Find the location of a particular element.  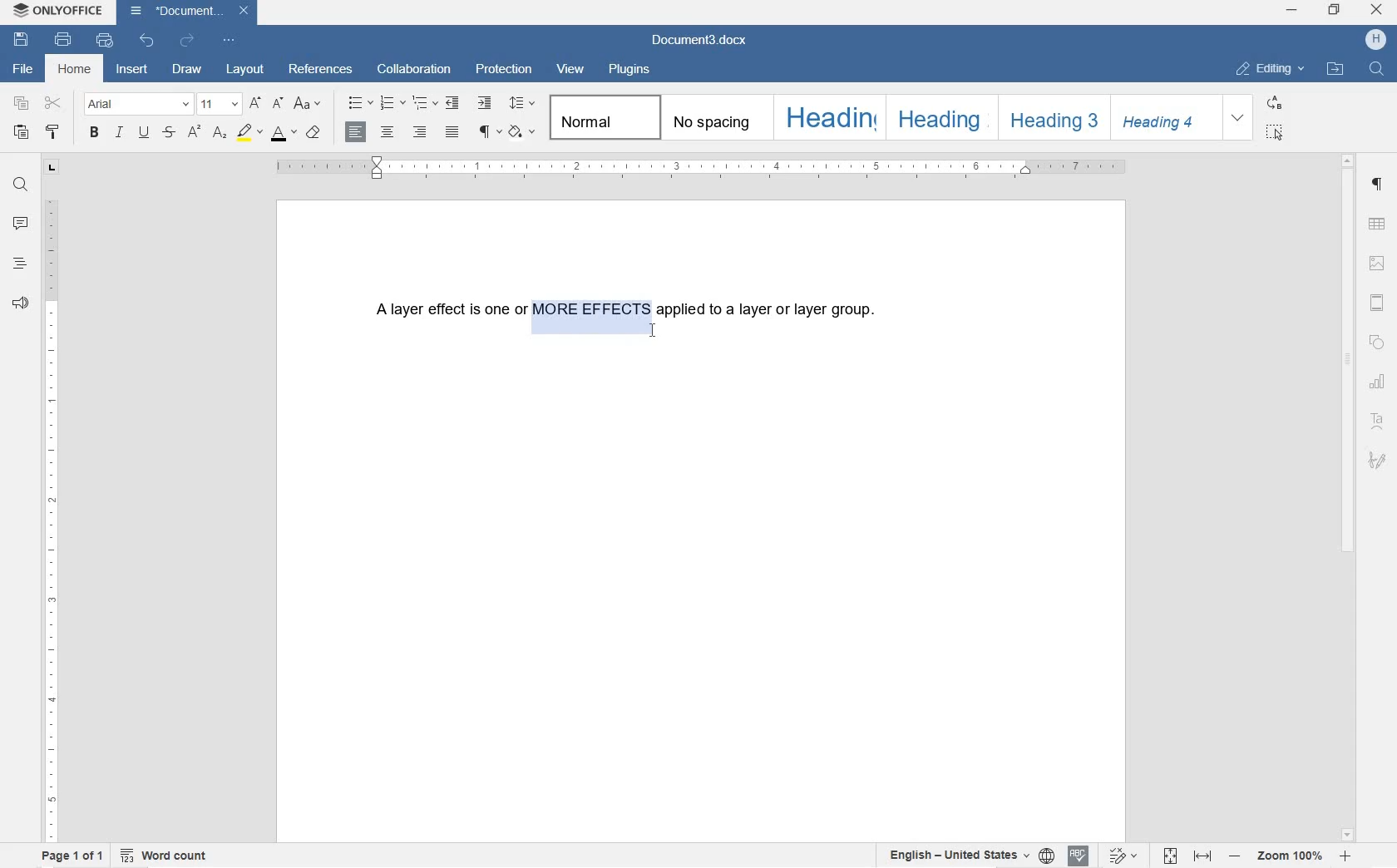

NUMBERING is located at coordinates (393, 104).